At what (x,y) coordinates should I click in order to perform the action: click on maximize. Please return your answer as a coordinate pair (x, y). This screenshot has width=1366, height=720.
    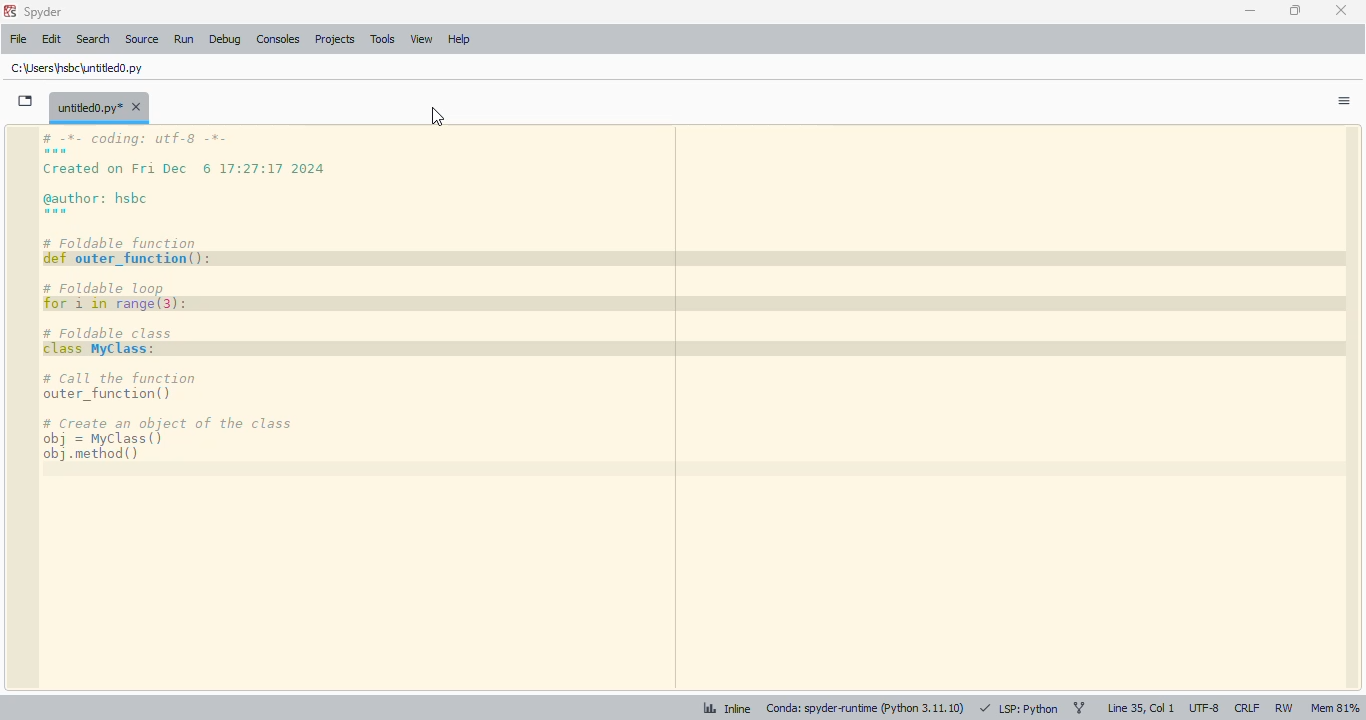
    Looking at the image, I should click on (1297, 10).